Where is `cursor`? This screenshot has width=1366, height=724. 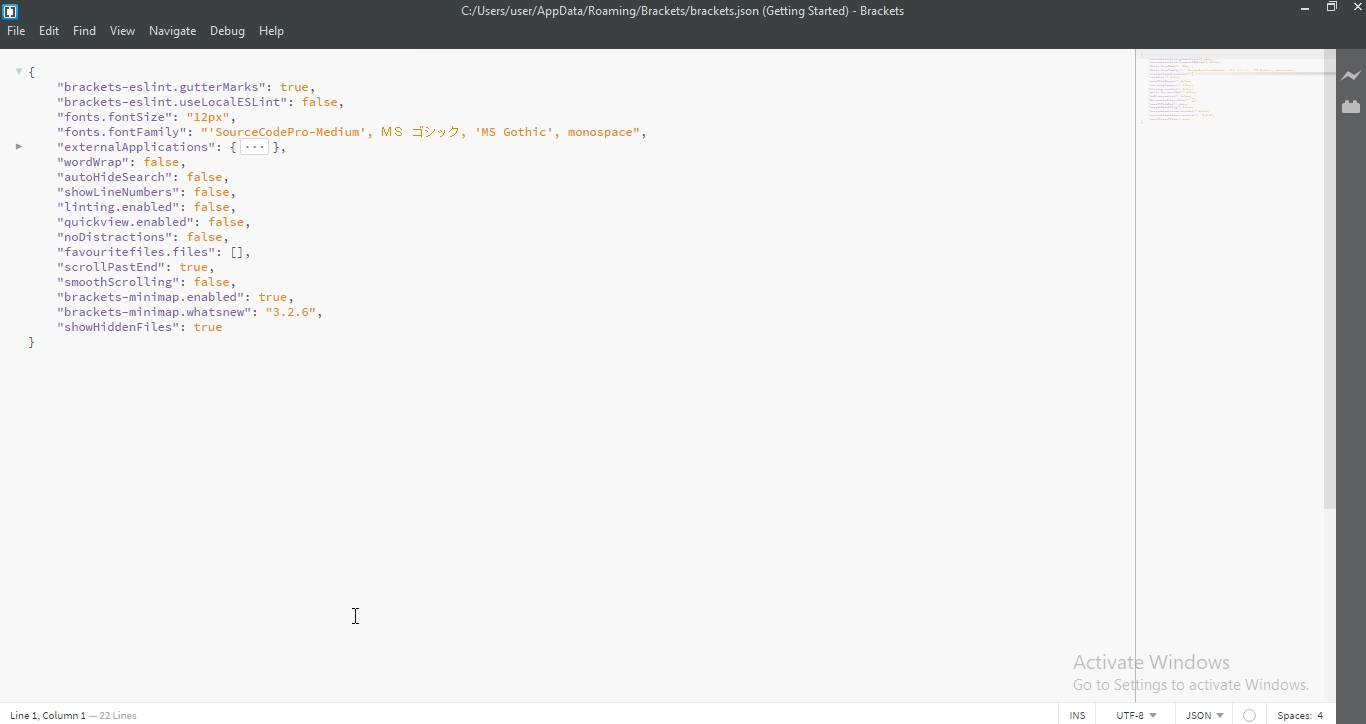
cursor is located at coordinates (361, 617).